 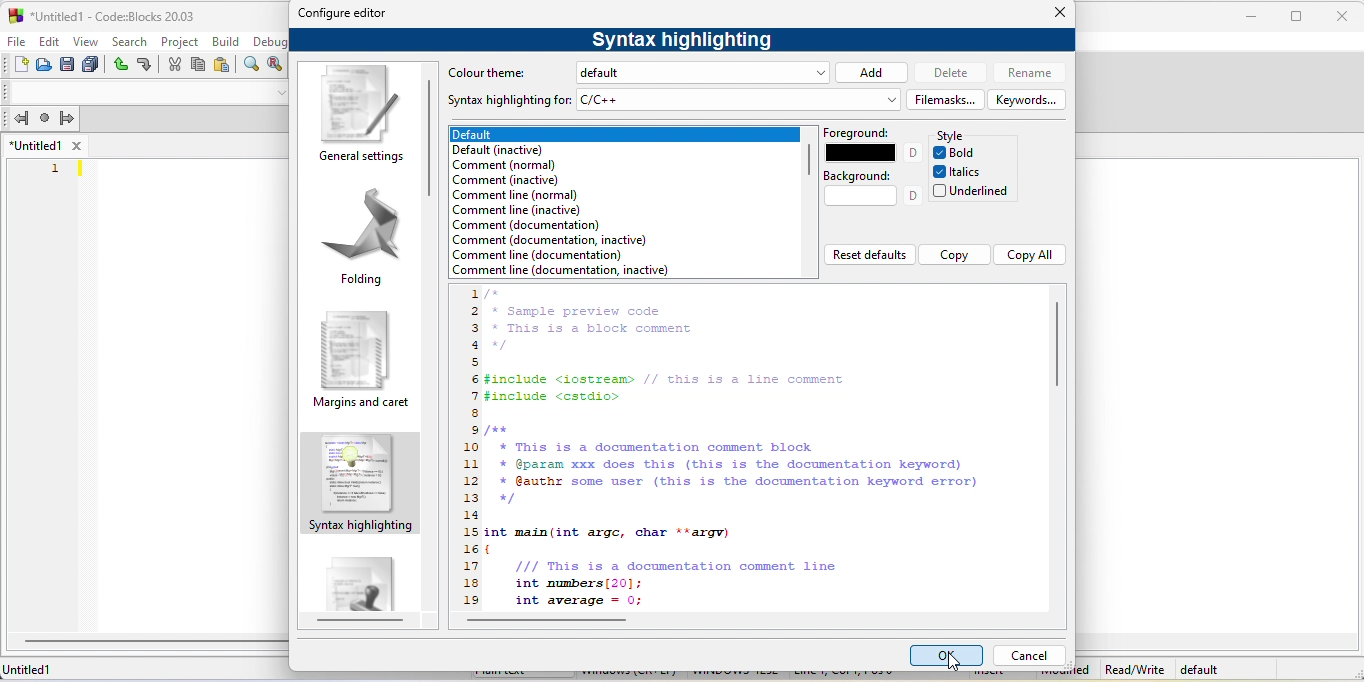 I want to click on Configure editor, so click(x=343, y=14).